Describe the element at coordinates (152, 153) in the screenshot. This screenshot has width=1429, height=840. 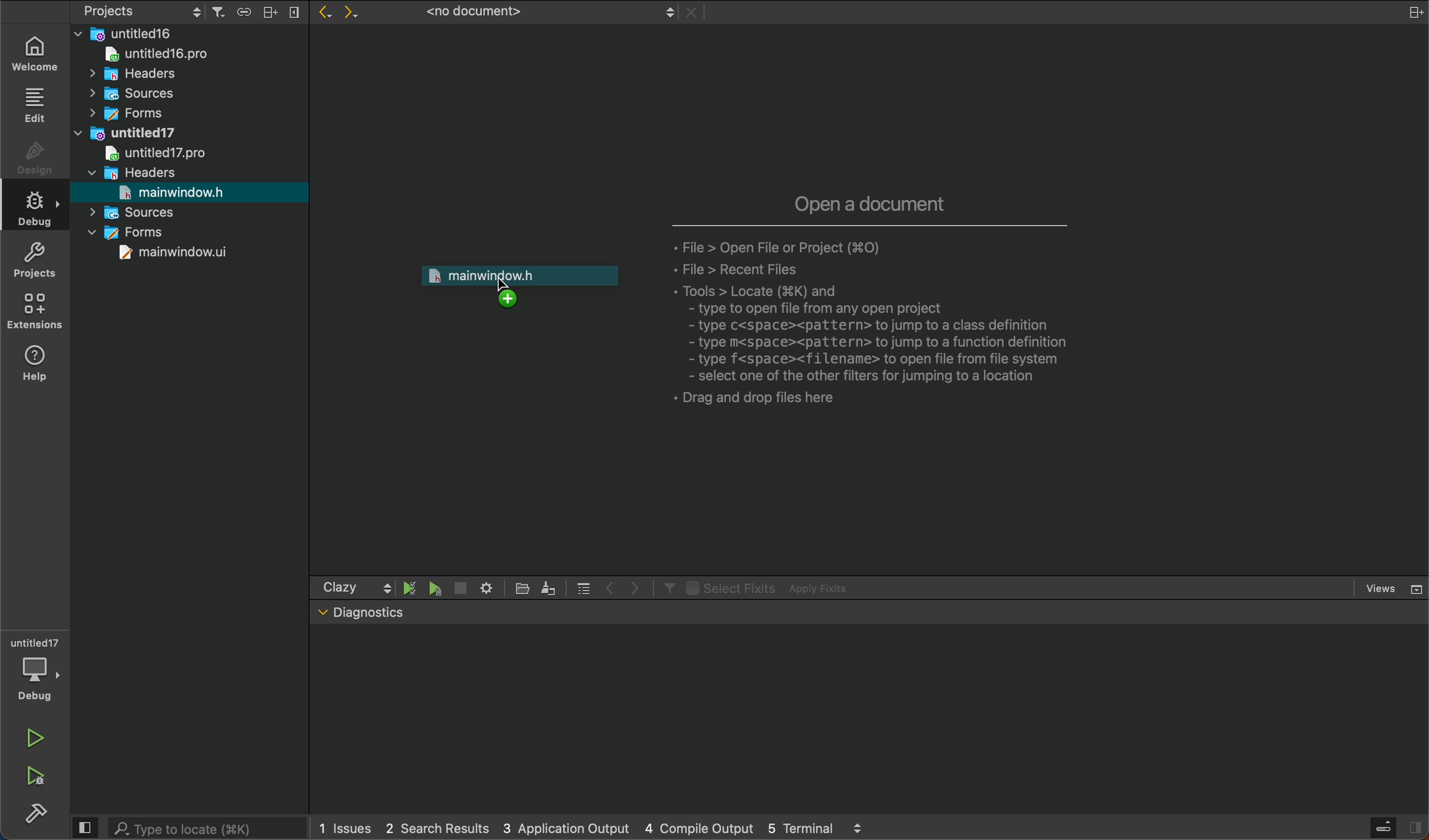
I see `untitled17.pro` at that location.